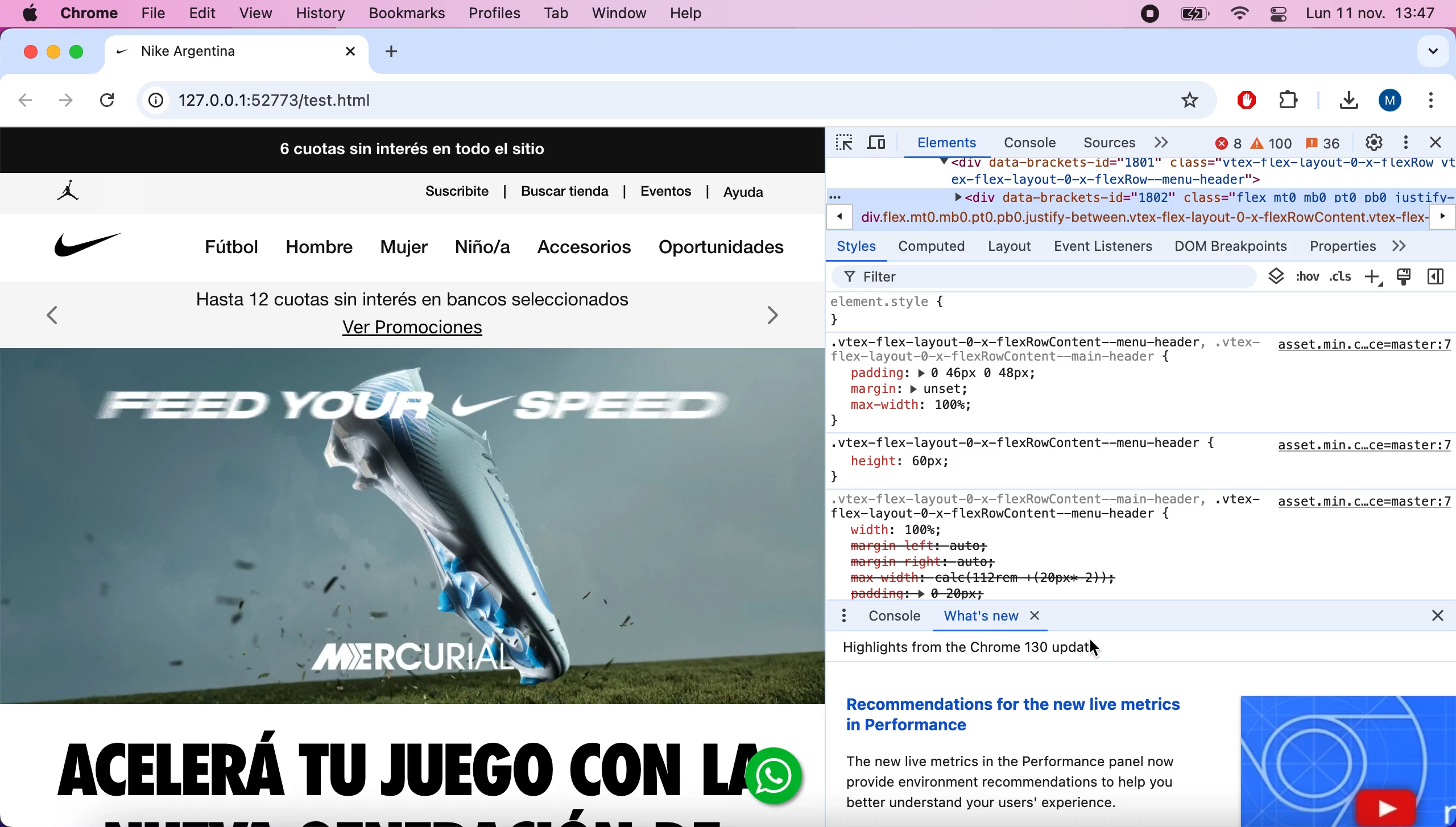 Image resolution: width=1456 pixels, height=827 pixels. Describe the element at coordinates (841, 144) in the screenshot. I see `select an element in the page` at that location.